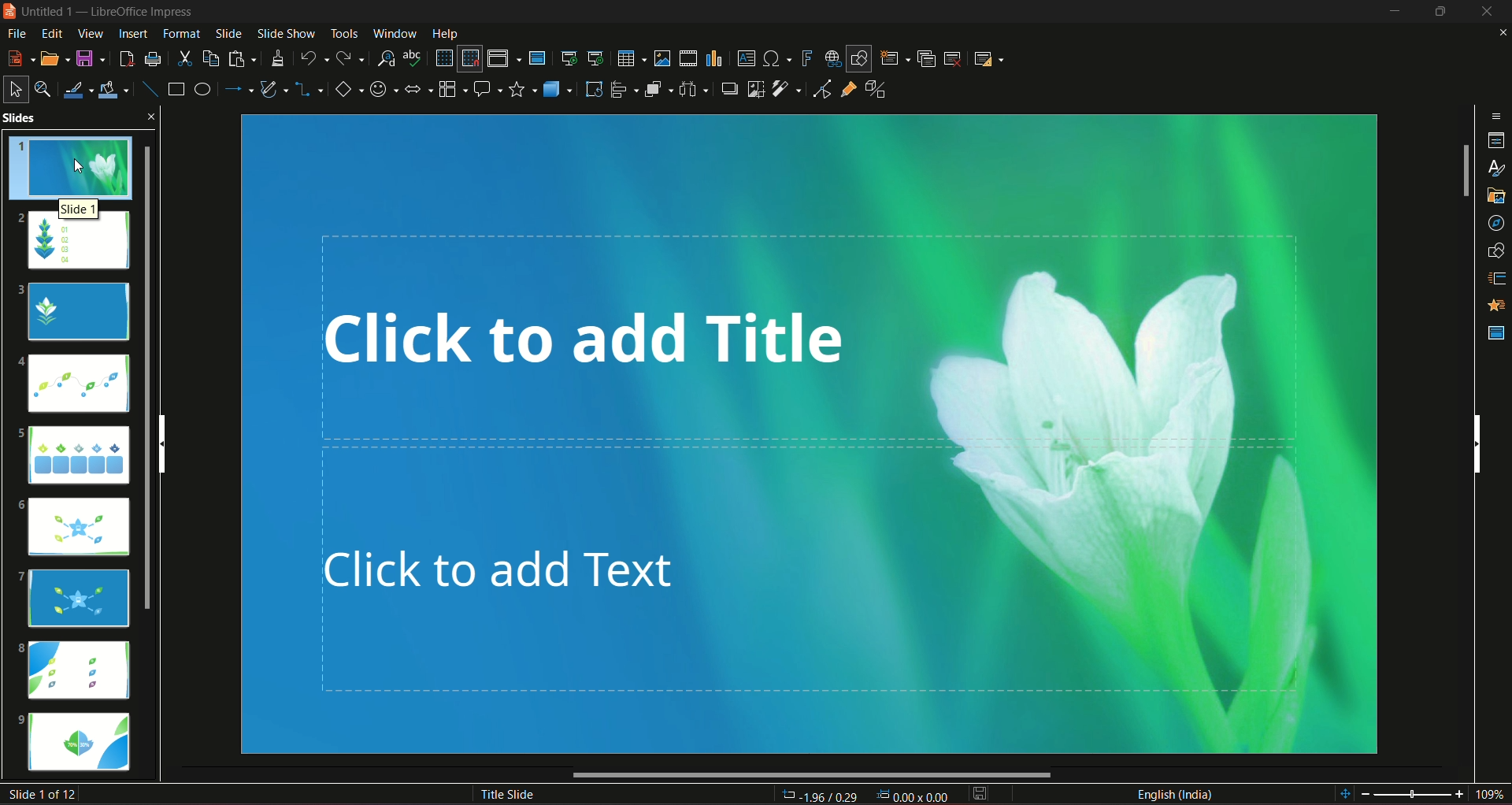  What do you see at coordinates (76, 386) in the screenshot?
I see `slide 4` at bounding box center [76, 386].